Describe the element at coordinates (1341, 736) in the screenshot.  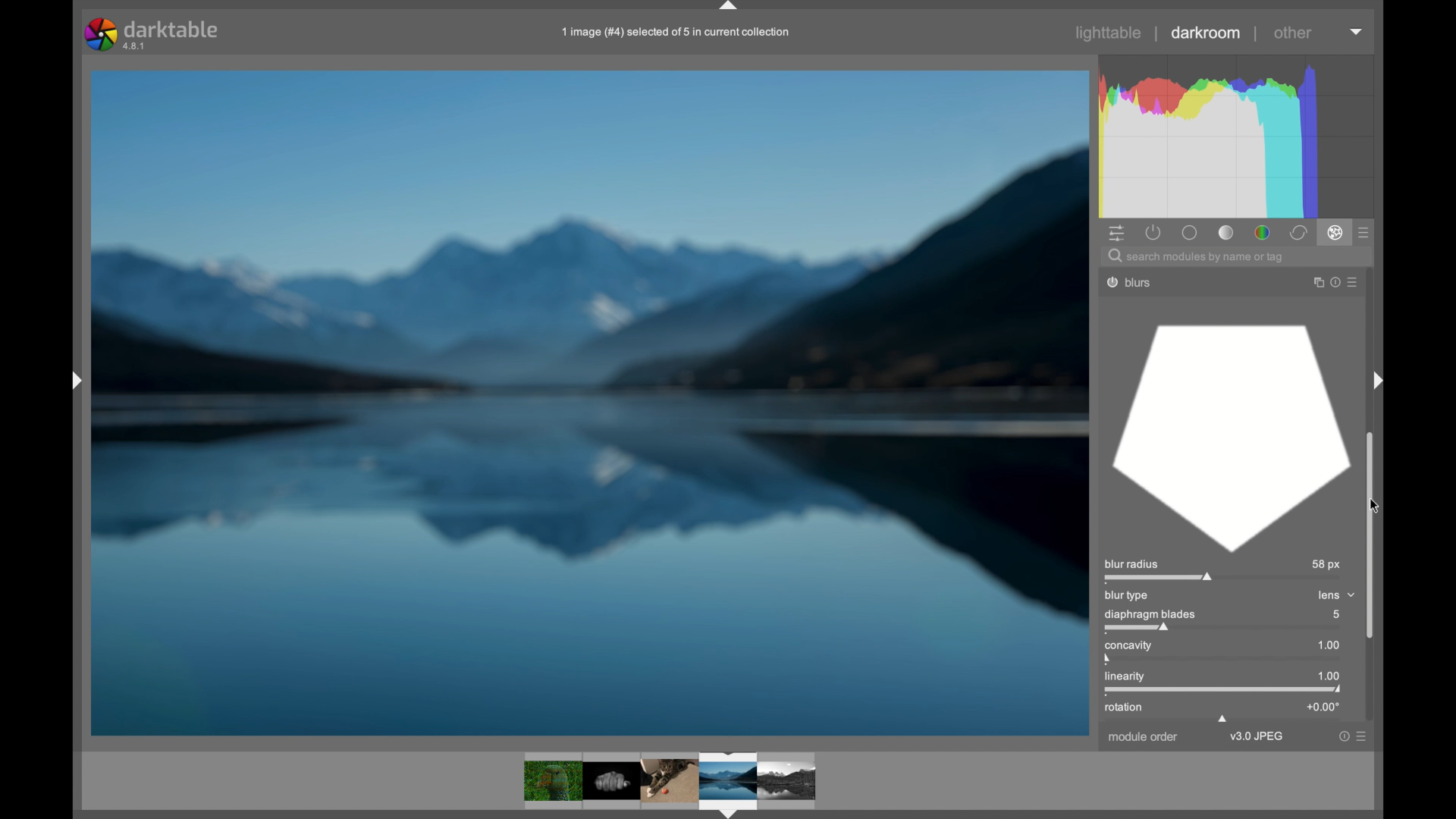
I see `help` at that location.